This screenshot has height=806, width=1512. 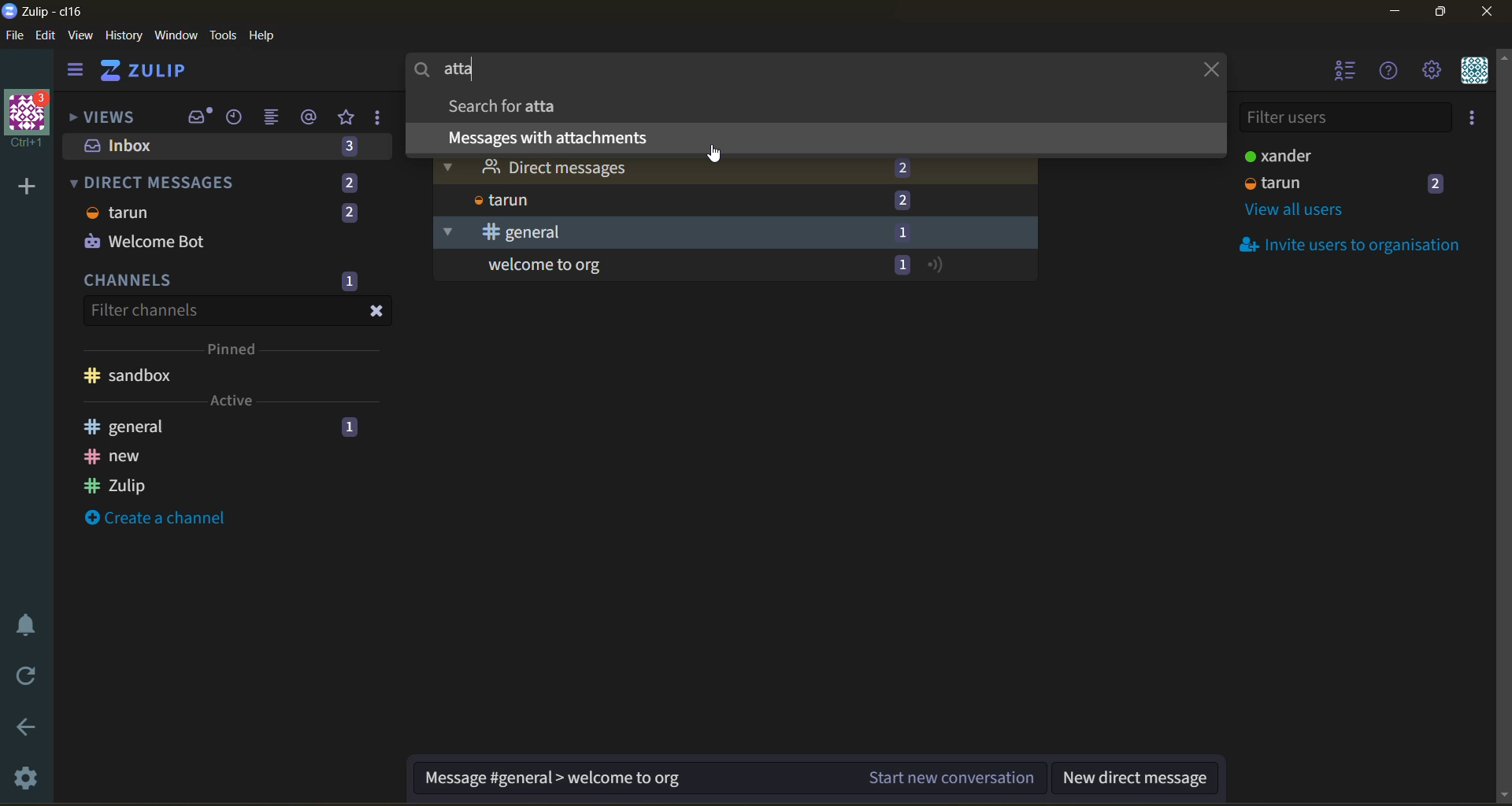 I want to click on drafts and reactions, so click(x=379, y=119).